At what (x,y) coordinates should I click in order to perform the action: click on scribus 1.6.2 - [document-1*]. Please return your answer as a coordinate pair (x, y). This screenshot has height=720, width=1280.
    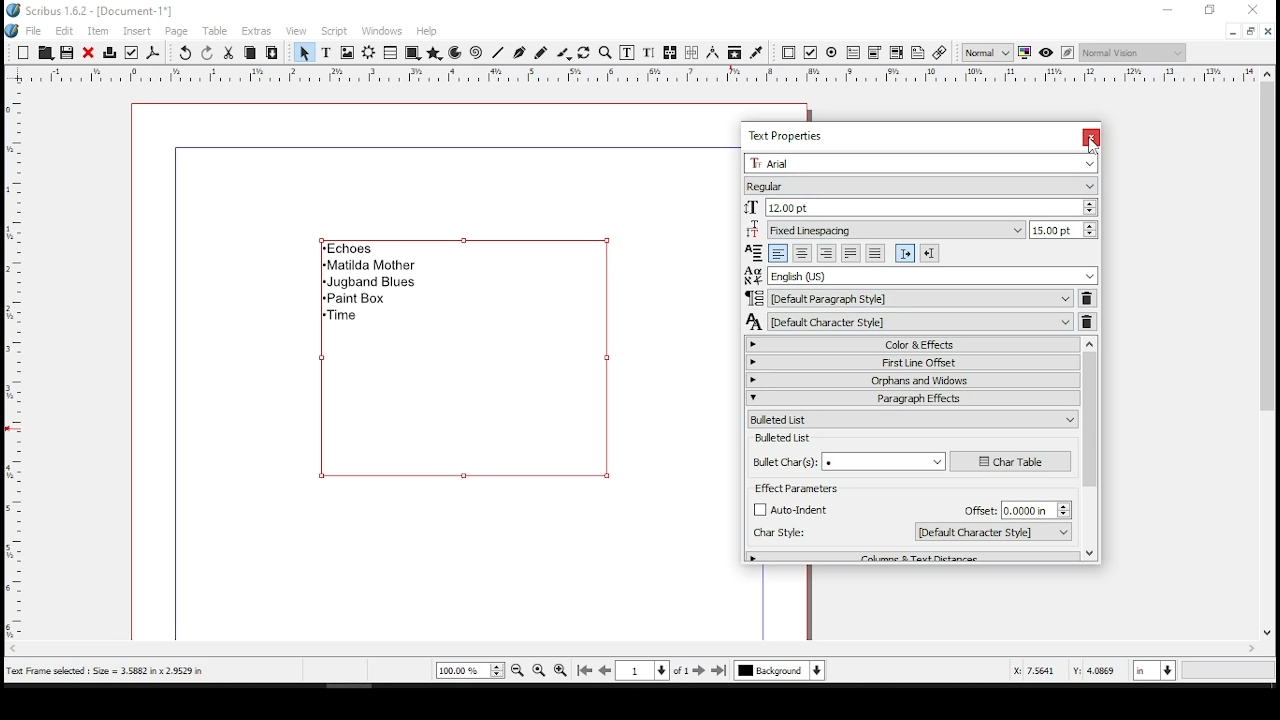
    Looking at the image, I should click on (102, 9).